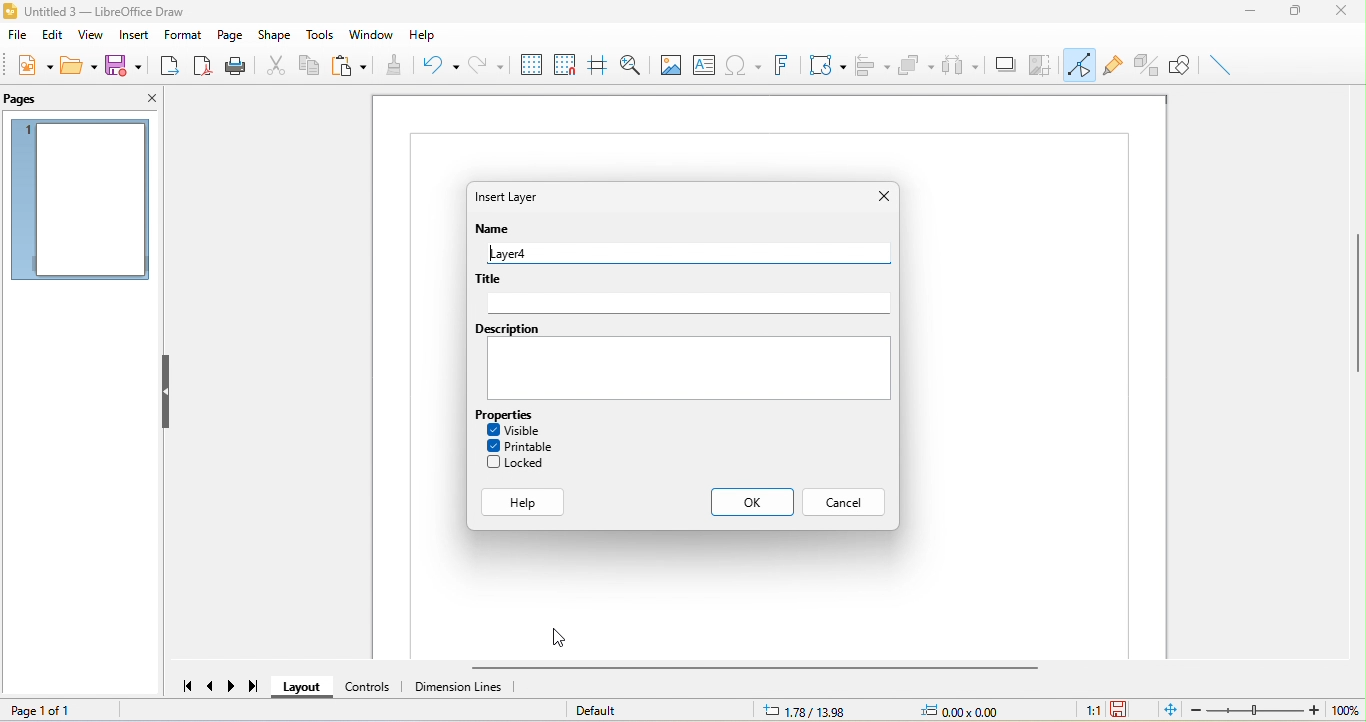  What do you see at coordinates (1276, 711) in the screenshot?
I see `zoom` at bounding box center [1276, 711].